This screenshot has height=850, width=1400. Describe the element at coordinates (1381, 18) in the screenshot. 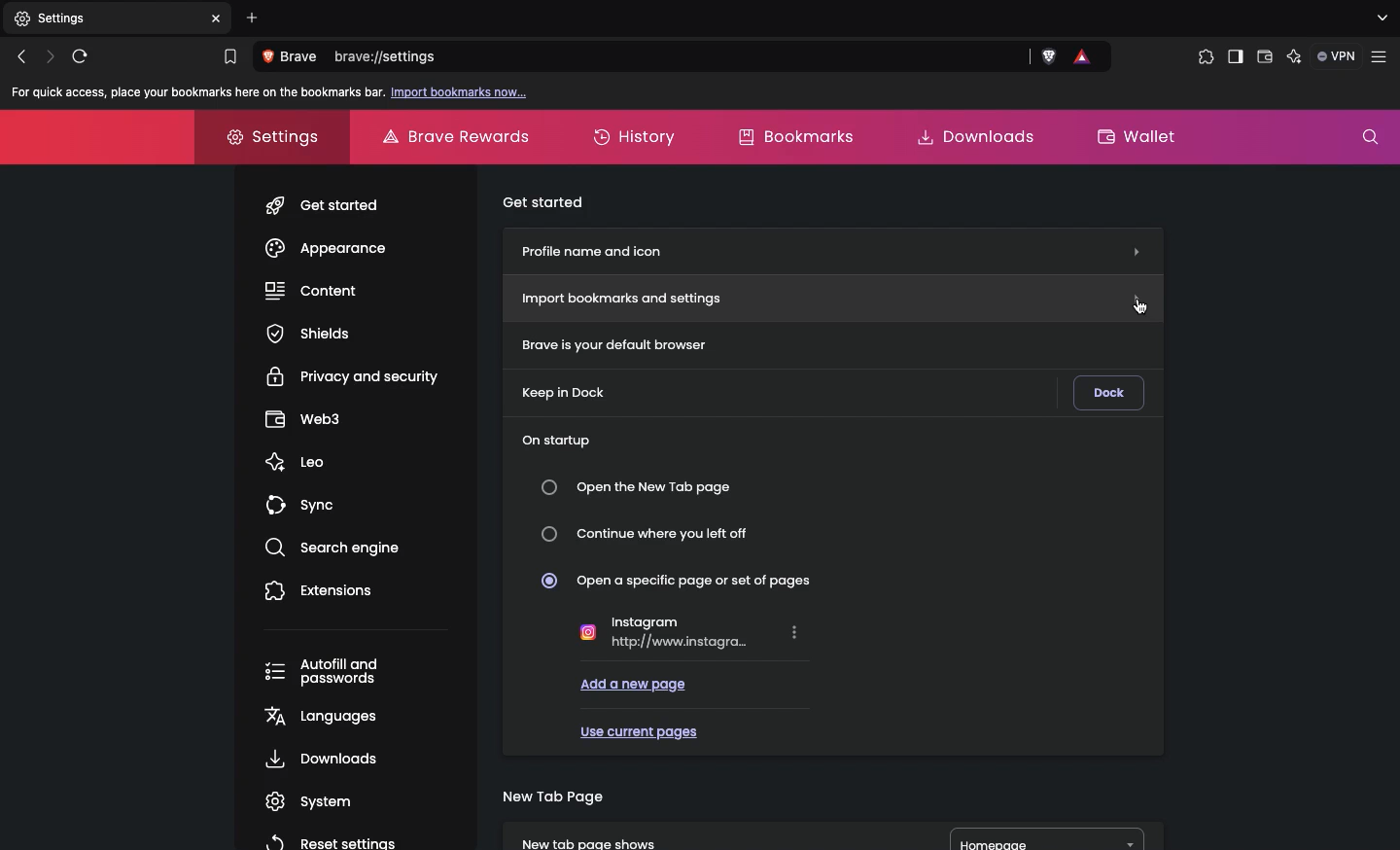

I see `search tabs` at that location.